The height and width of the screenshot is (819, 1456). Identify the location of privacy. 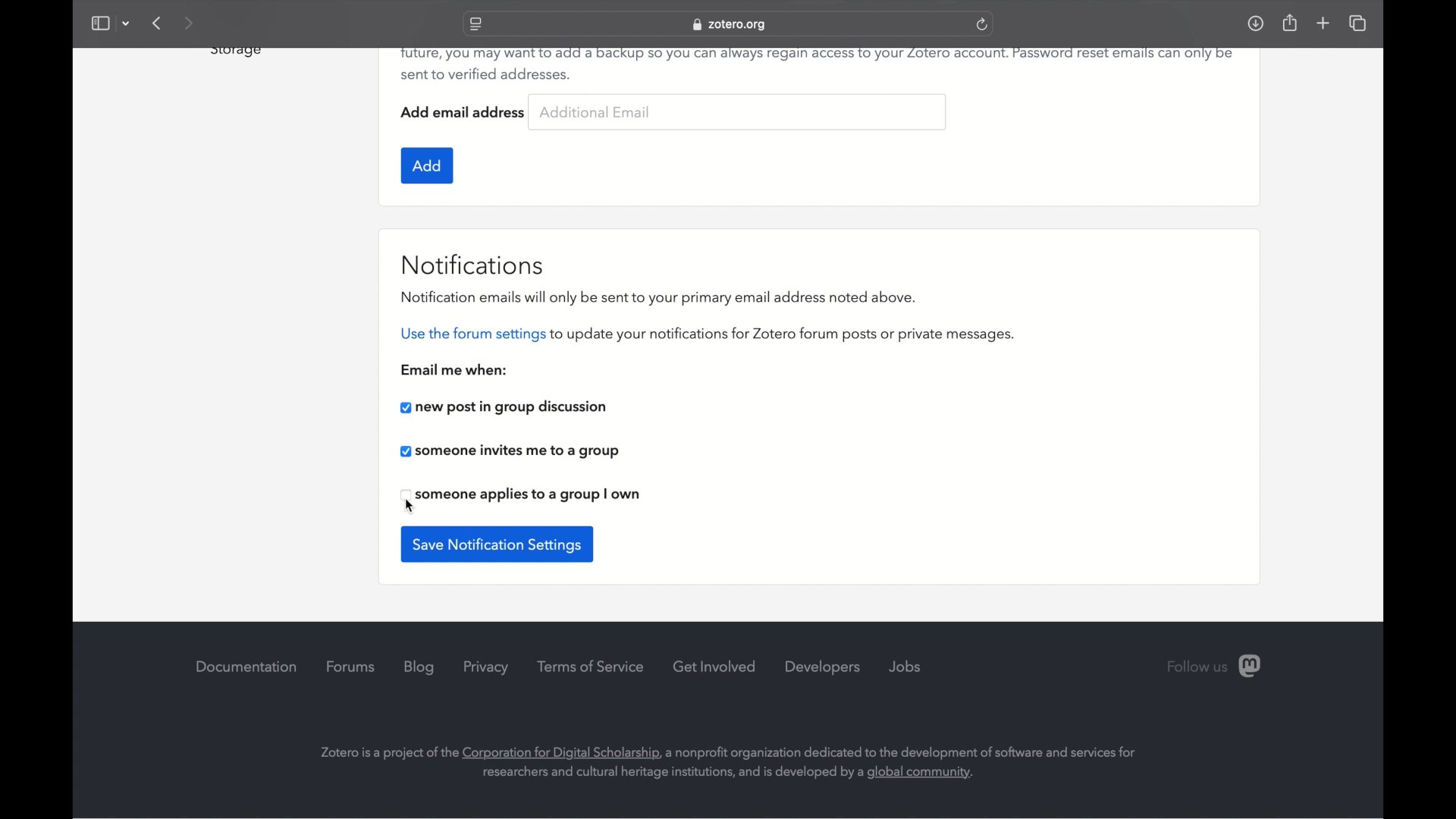
(488, 668).